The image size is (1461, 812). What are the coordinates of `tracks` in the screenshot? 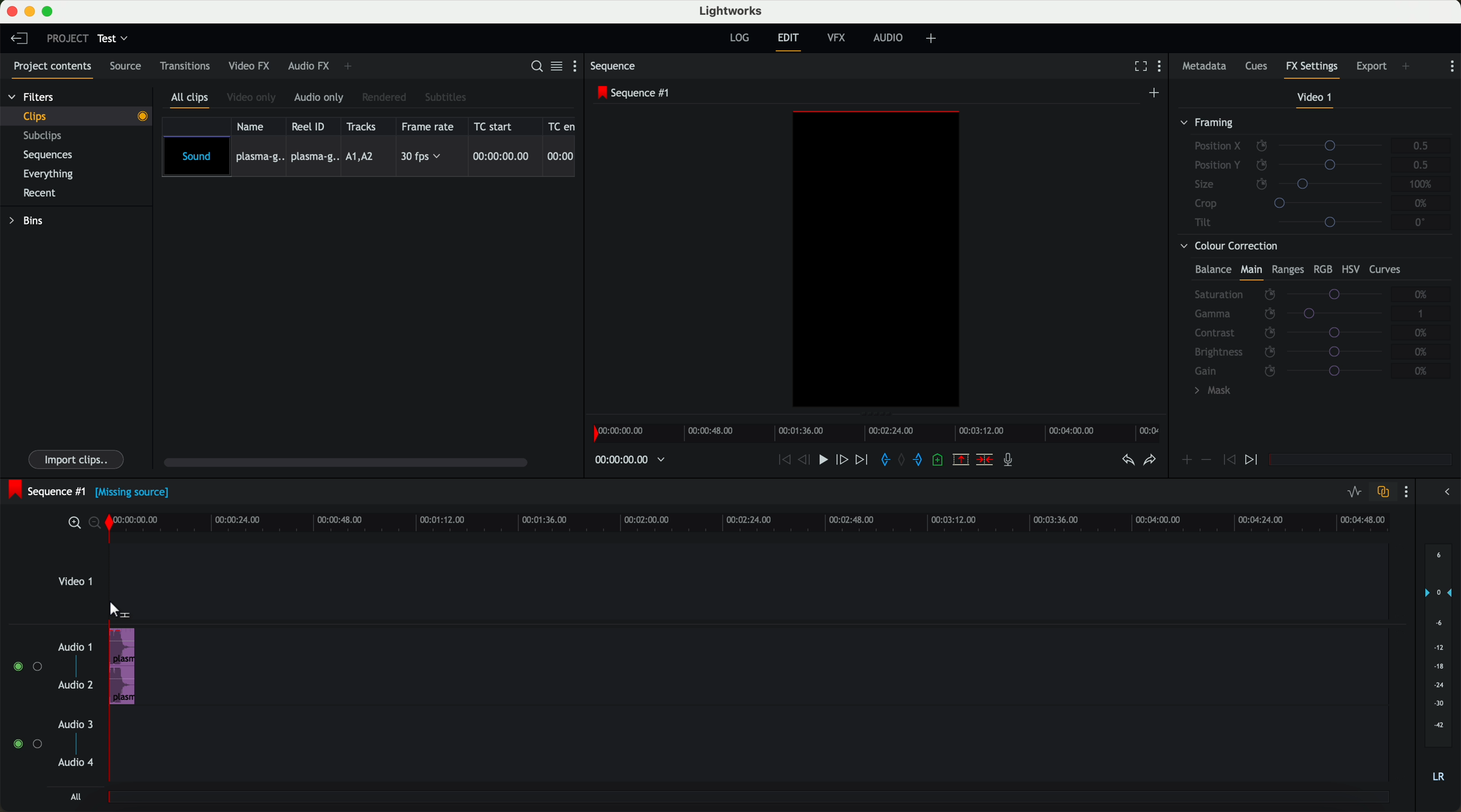 It's located at (364, 126).